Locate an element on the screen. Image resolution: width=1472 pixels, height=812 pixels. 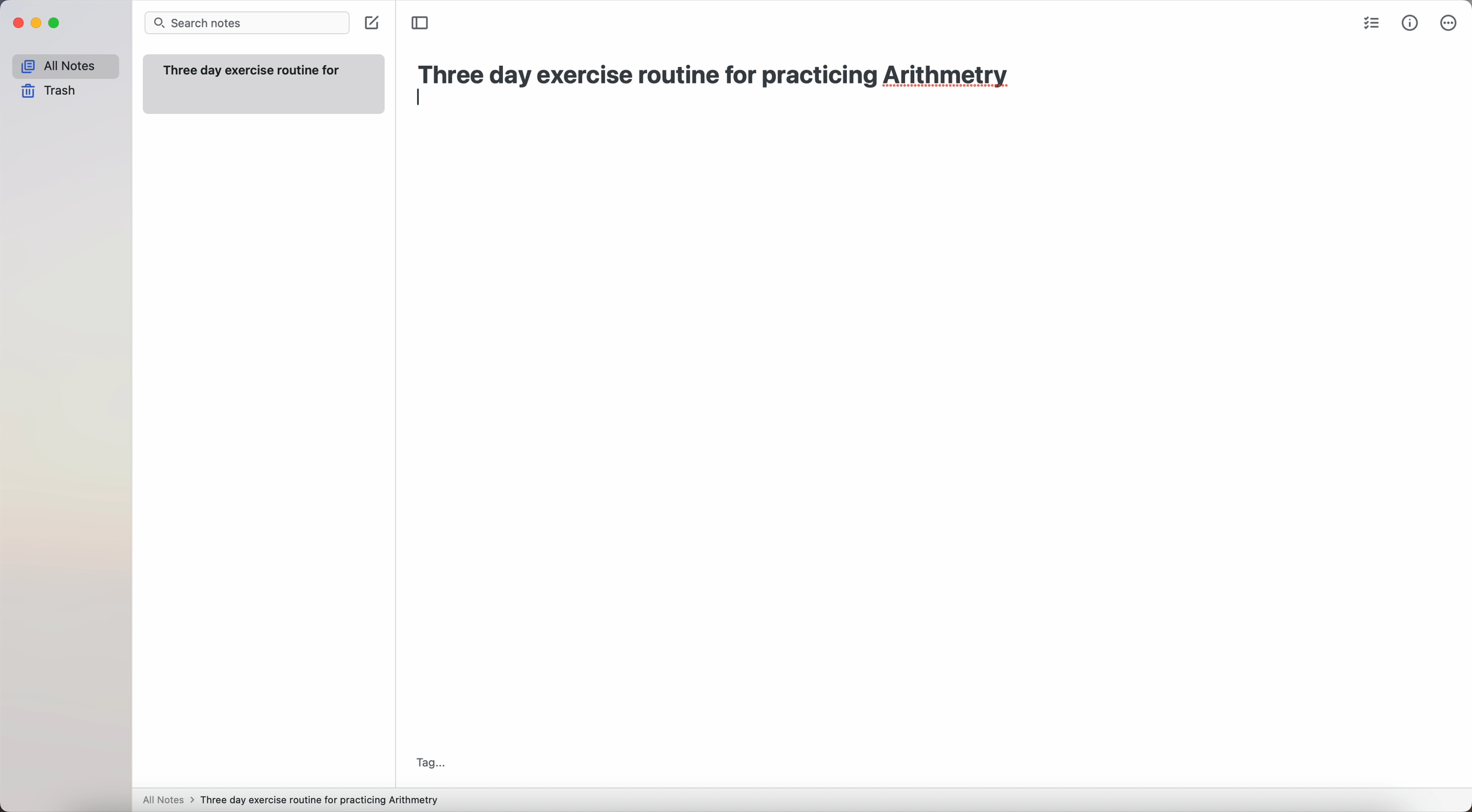
Three day exercise routine for practicing Arithmetry is located at coordinates (323, 800).